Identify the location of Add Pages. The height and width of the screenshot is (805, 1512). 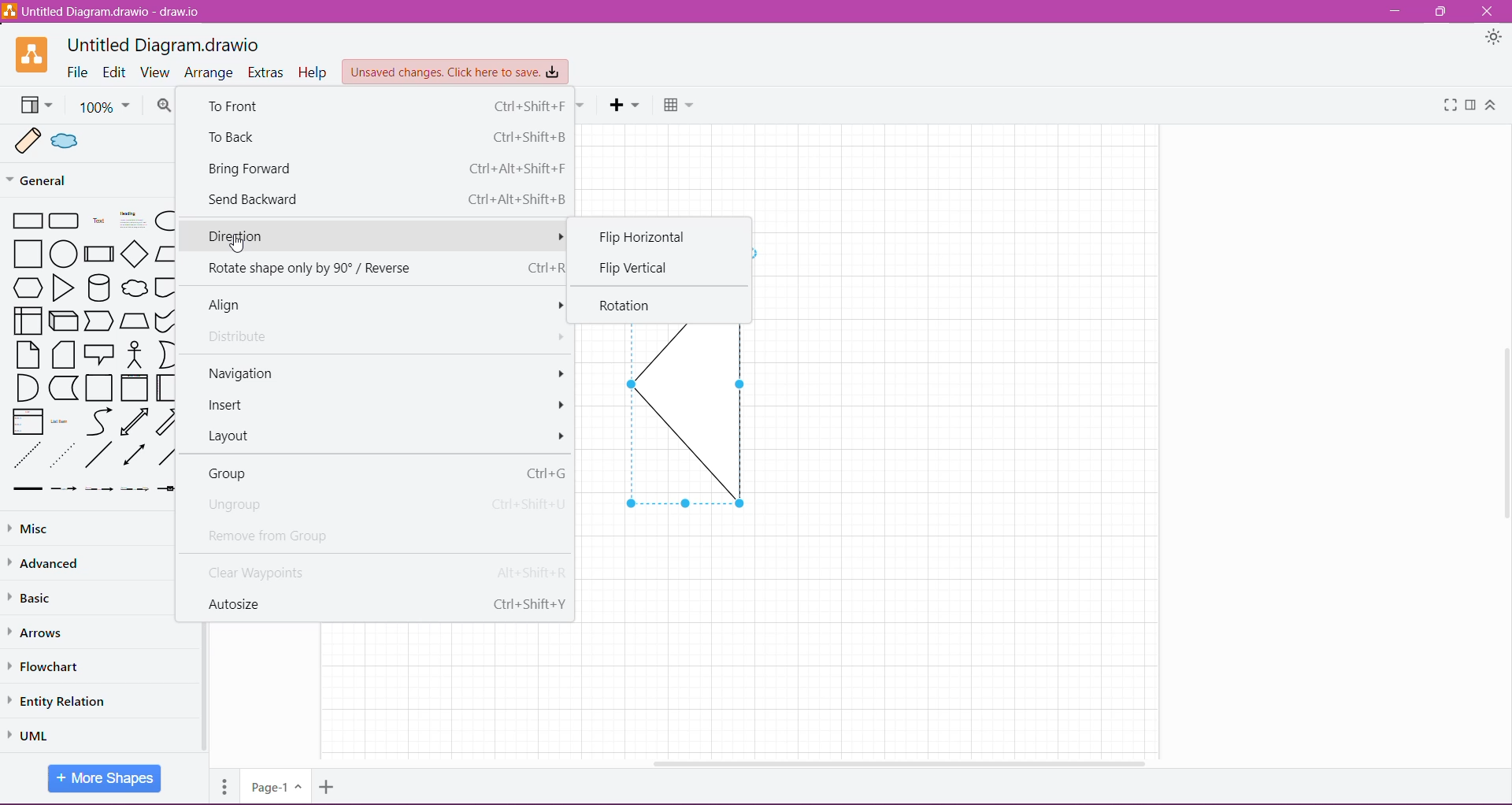
(327, 787).